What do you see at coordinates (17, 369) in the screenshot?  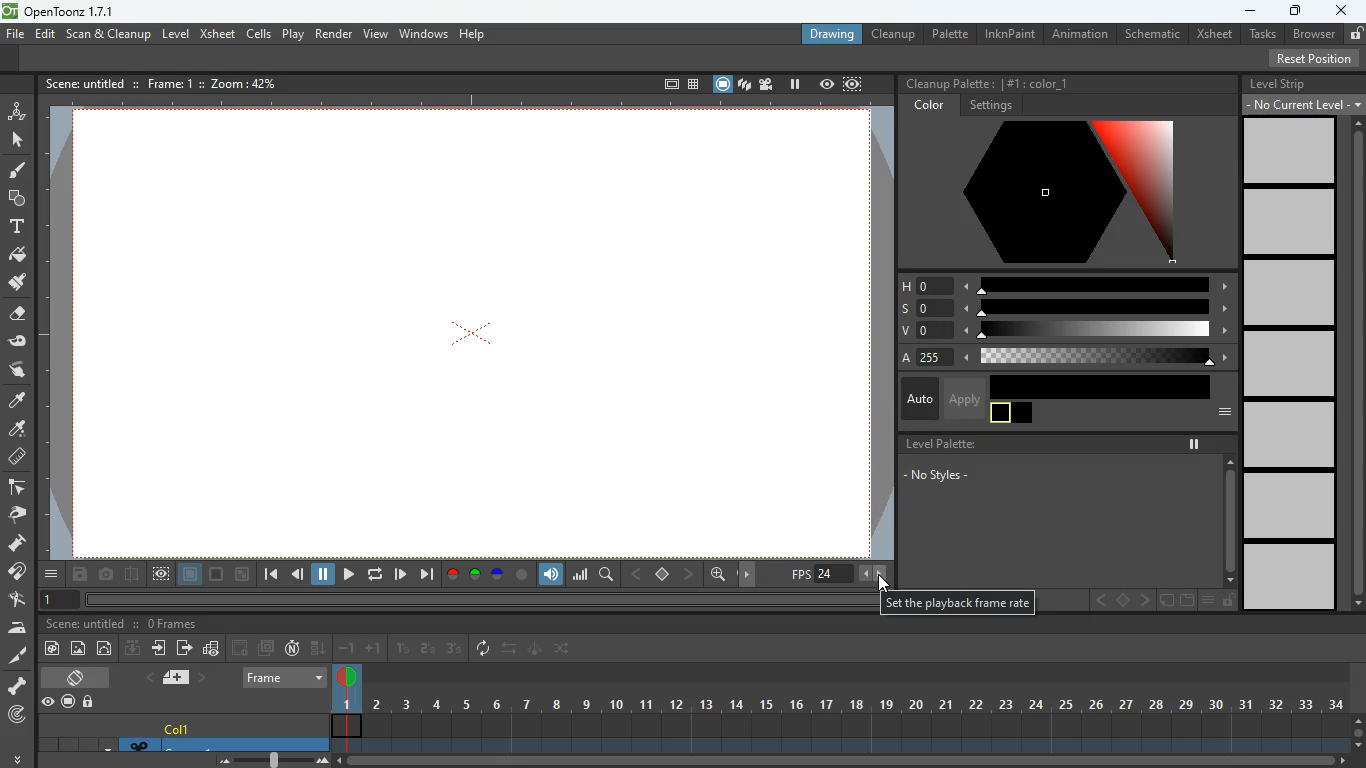 I see `swipe` at bounding box center [17, 369].